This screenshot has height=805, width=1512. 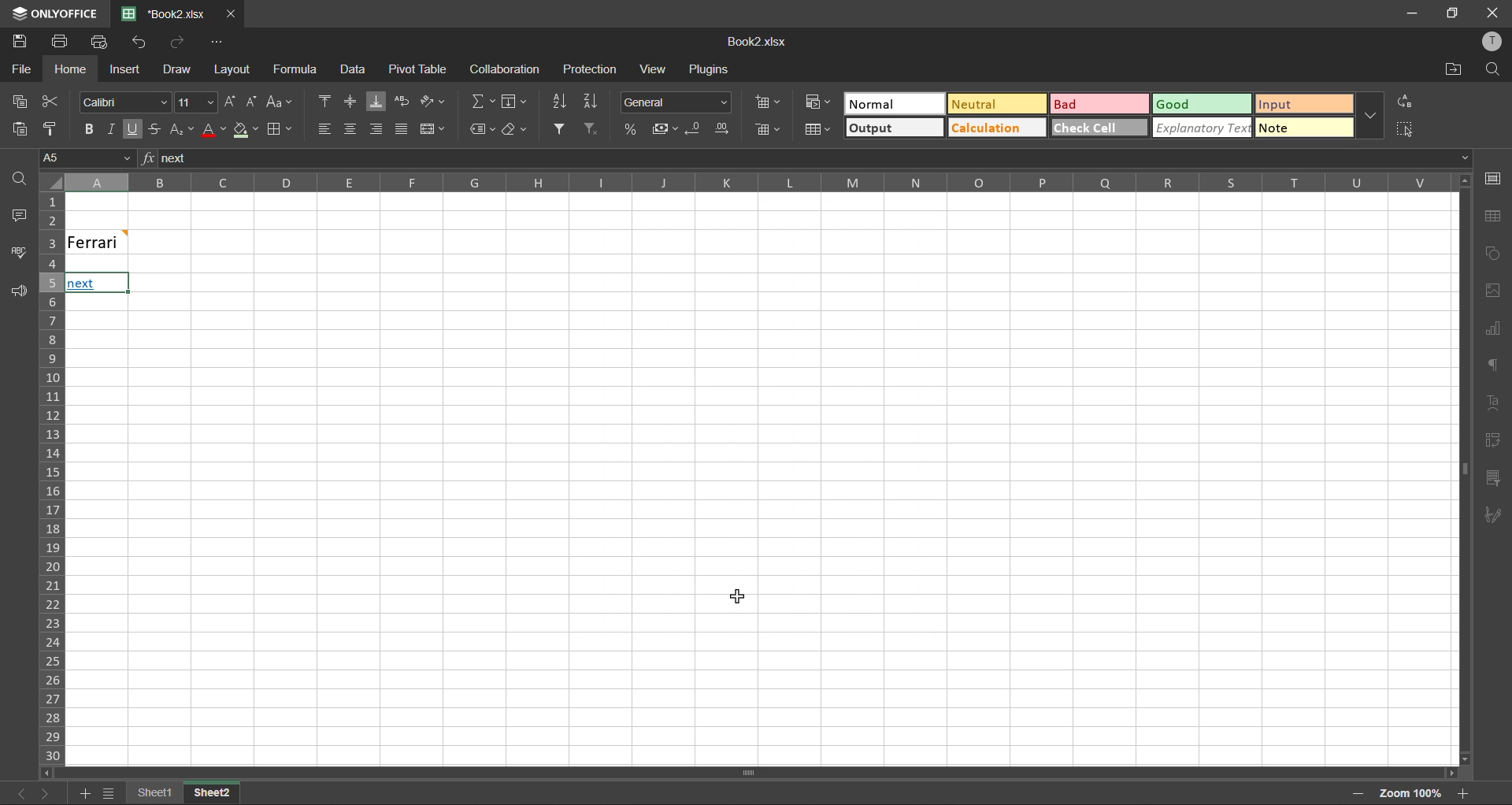 I want to click on redo, so click(x=180, y=42).